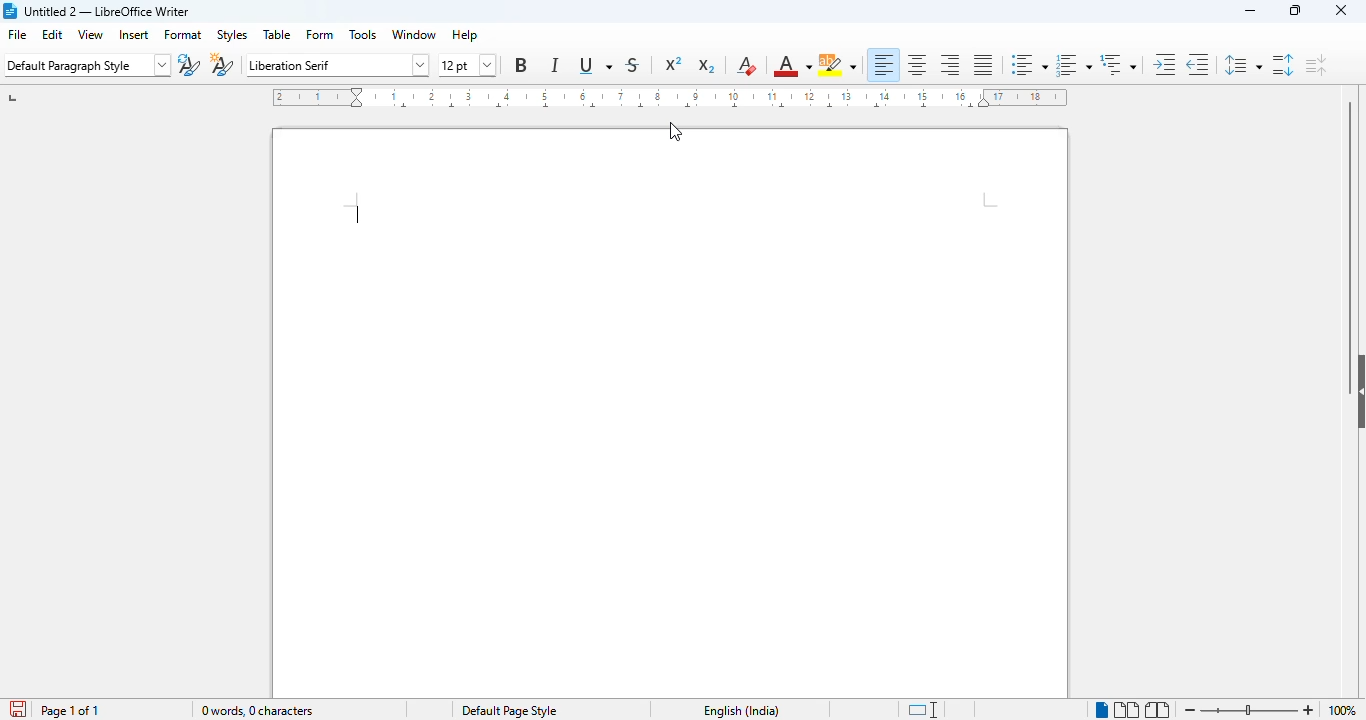  Describe the element at coordinates (1165, 65) in the screenshot. I see `increase indent` at that location.